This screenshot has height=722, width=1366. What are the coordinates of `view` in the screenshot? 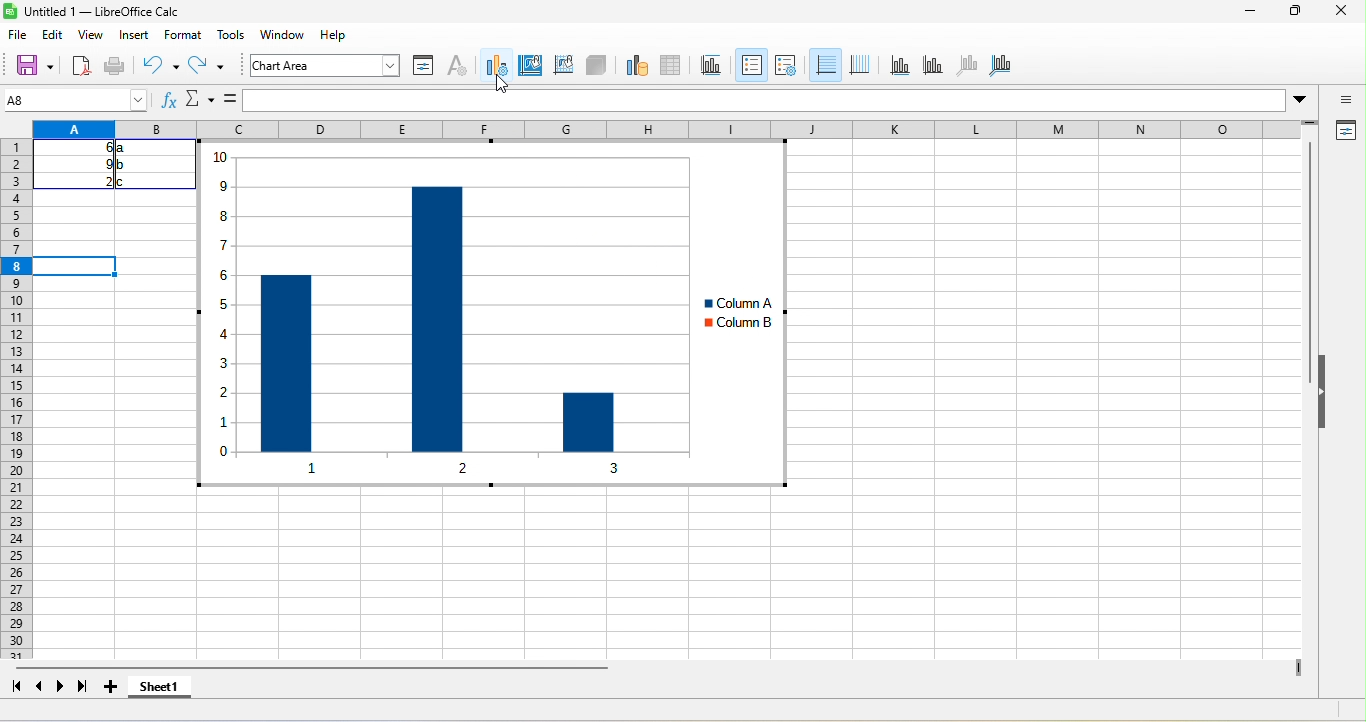 It's located at (94, 34).